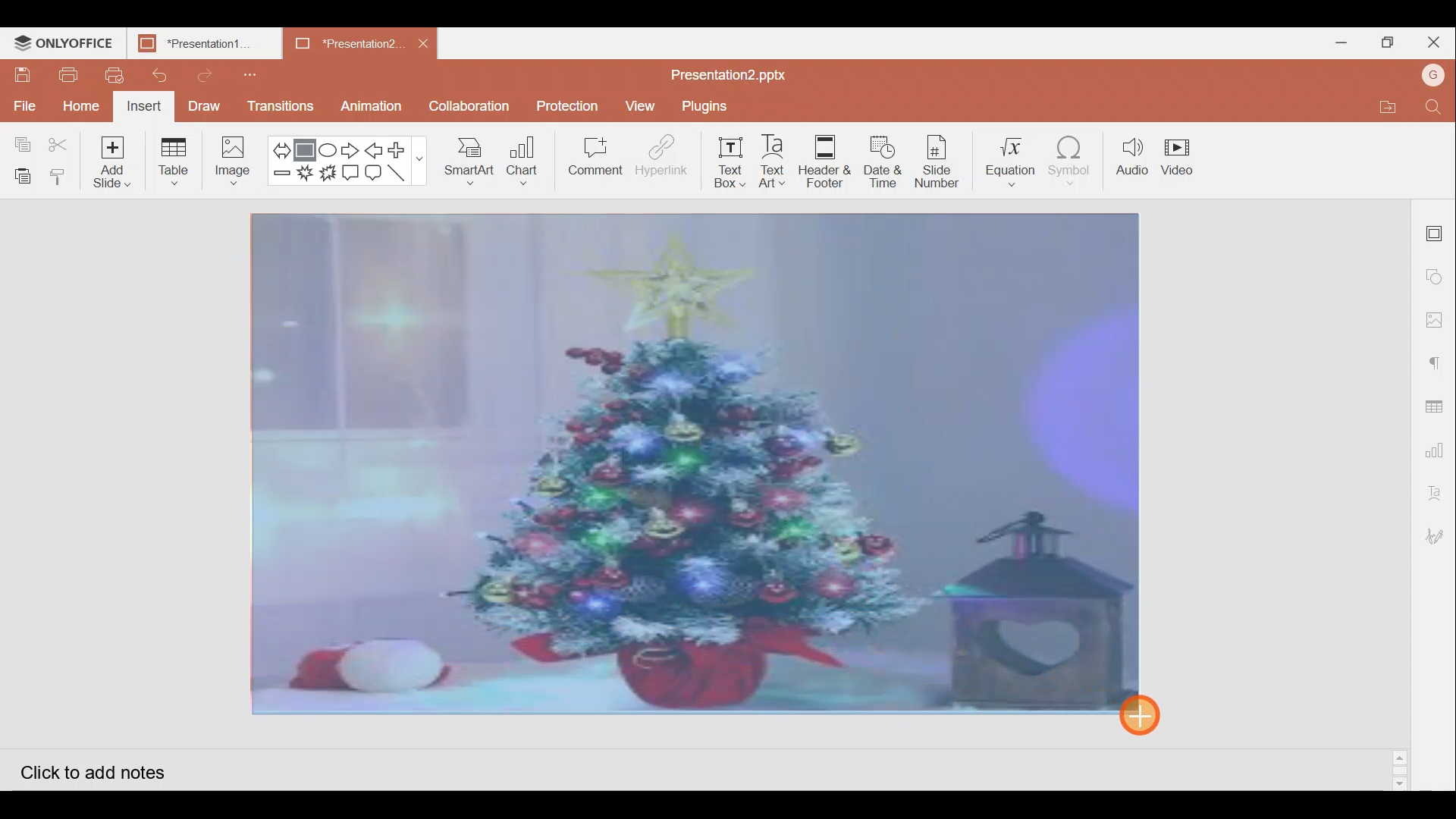  Describe the element at coordinates (205, 108) in the screenshot. I see `Draw` at that location.